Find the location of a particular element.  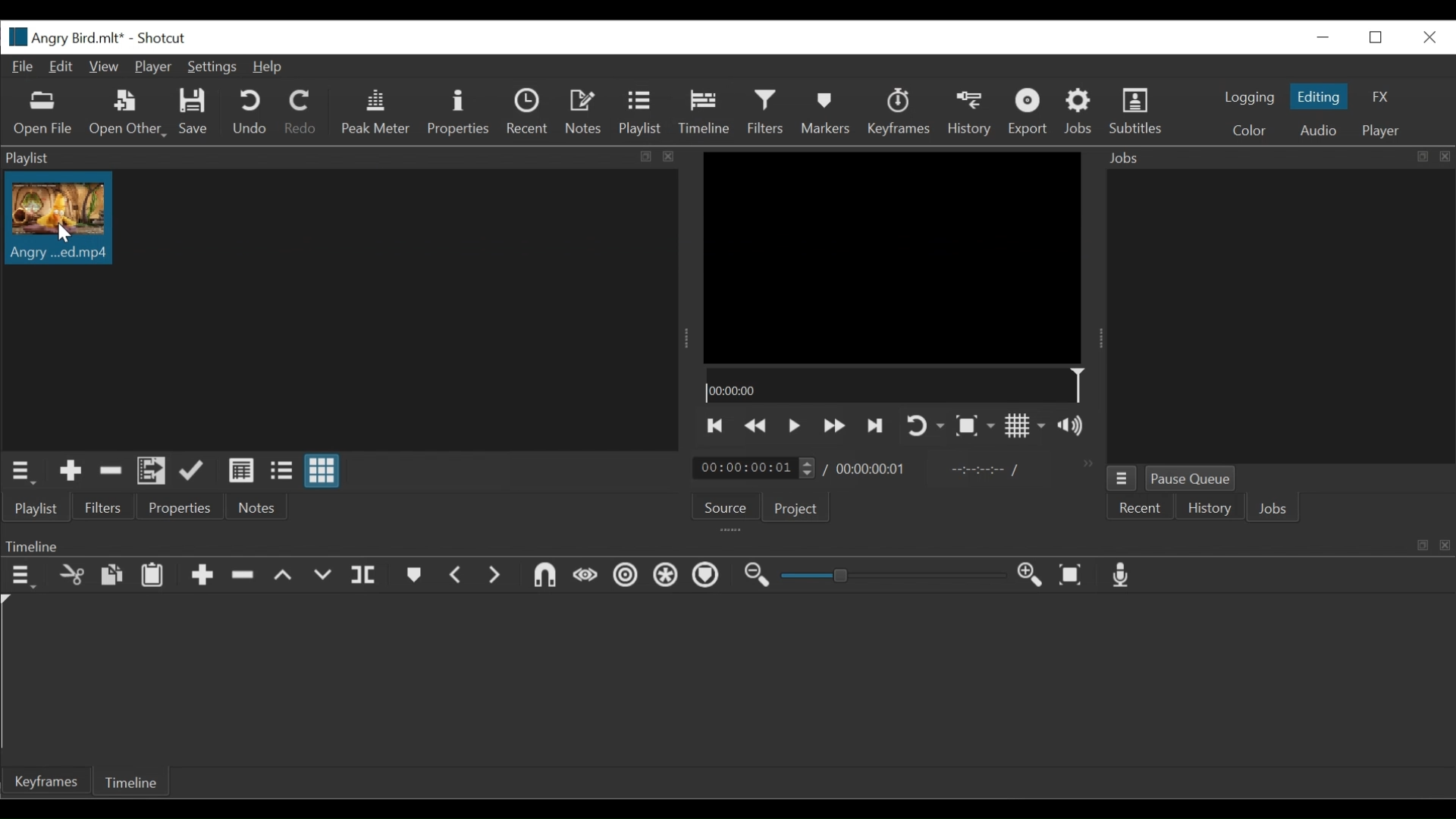

History is located at coordinates (971, 113).